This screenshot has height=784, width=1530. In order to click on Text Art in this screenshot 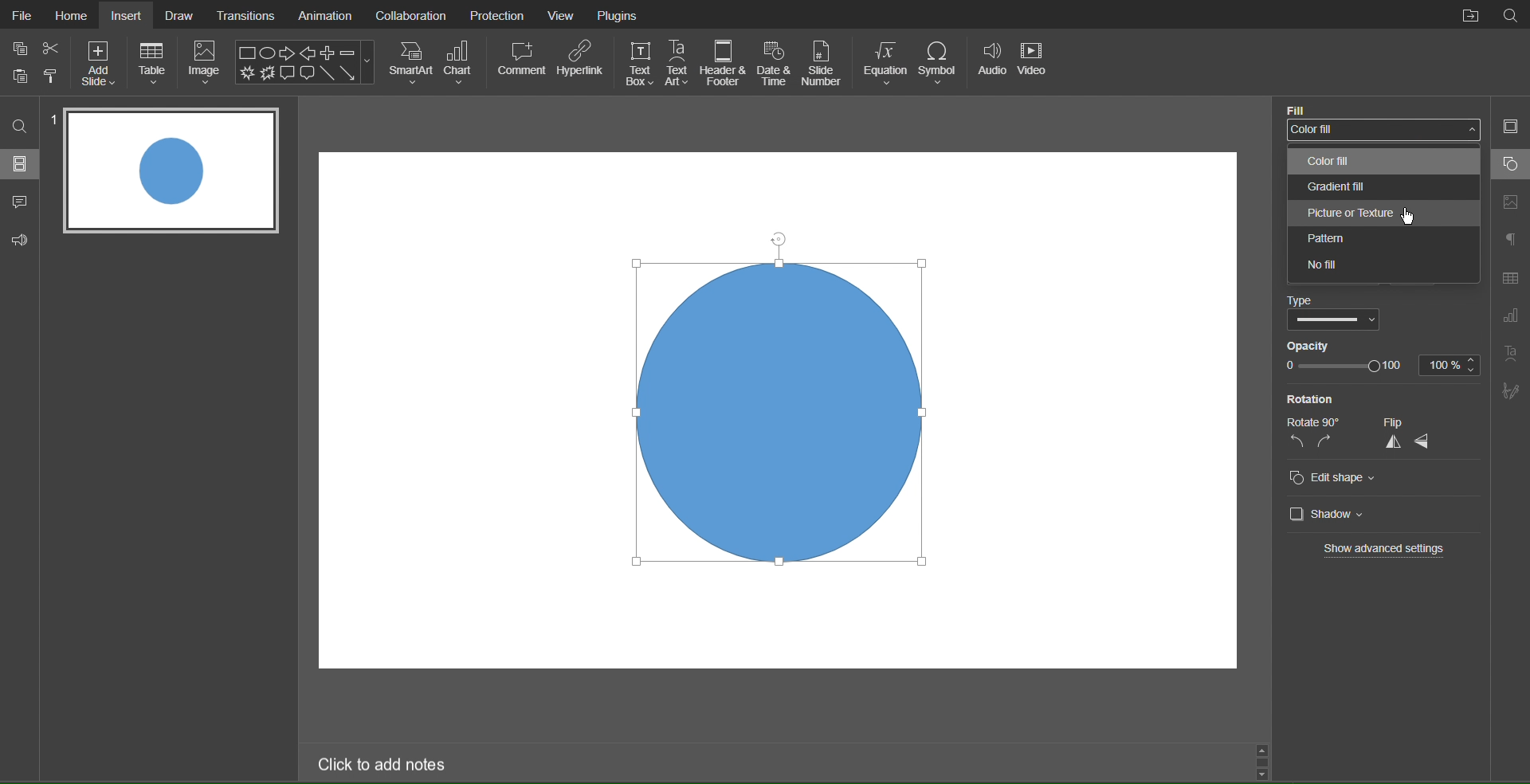, I will do `click(681, 62)`.